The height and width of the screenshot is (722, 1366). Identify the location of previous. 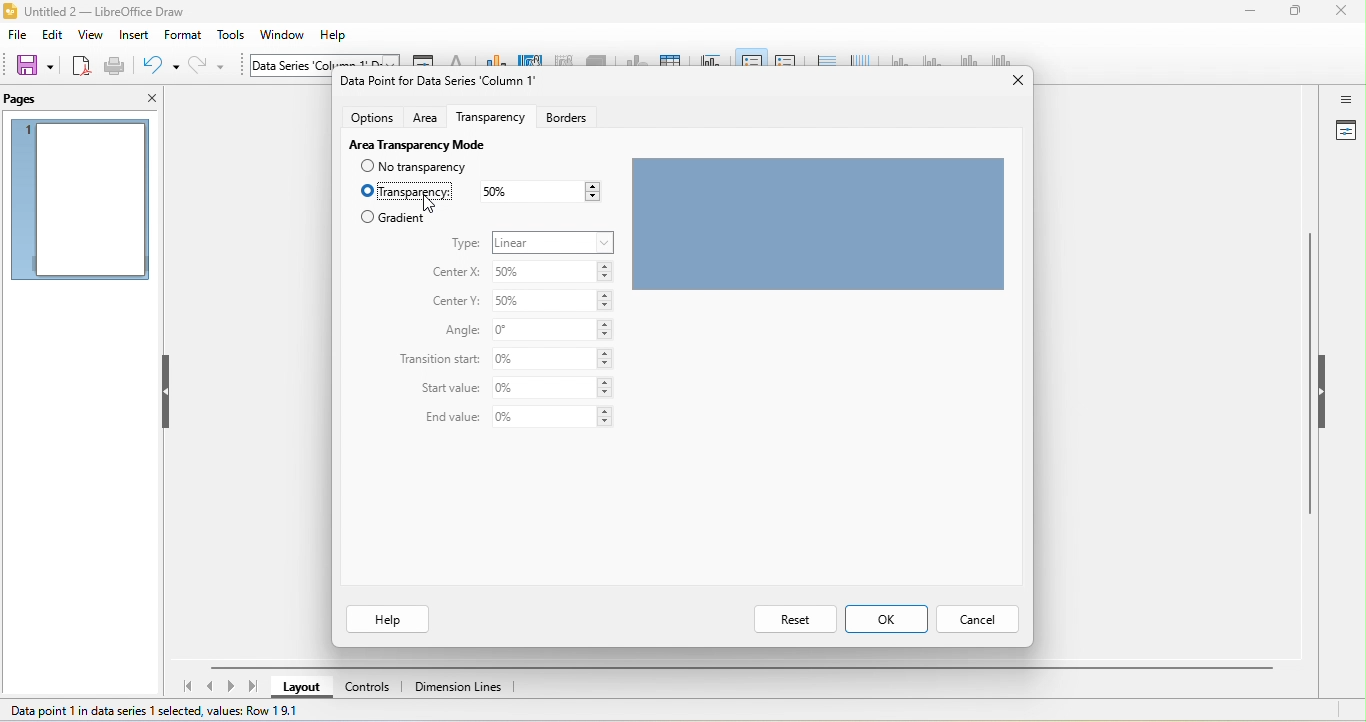
(213, 684).